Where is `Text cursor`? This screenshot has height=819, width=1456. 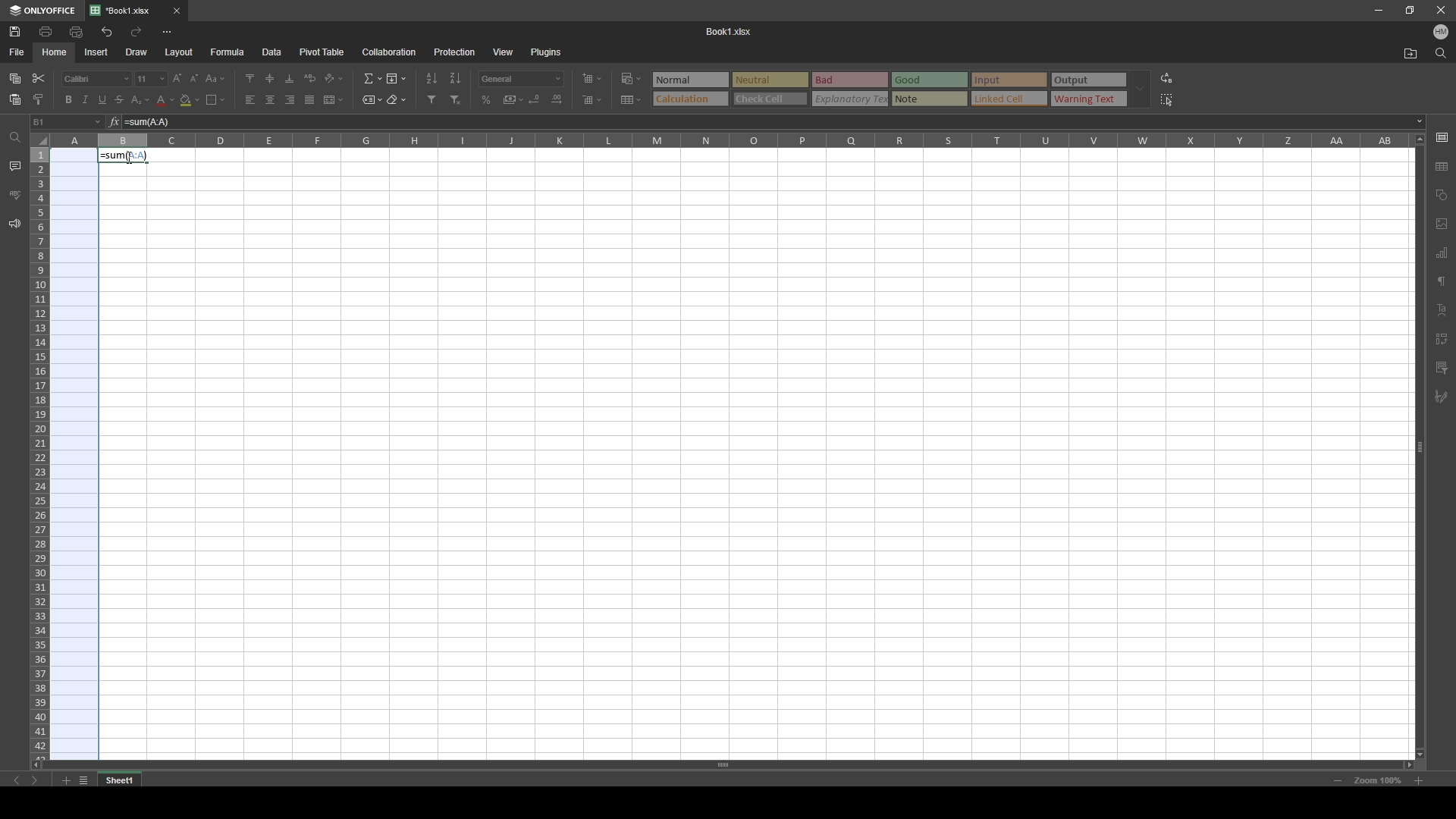 Text cursor is located at coordinates (127, 158).